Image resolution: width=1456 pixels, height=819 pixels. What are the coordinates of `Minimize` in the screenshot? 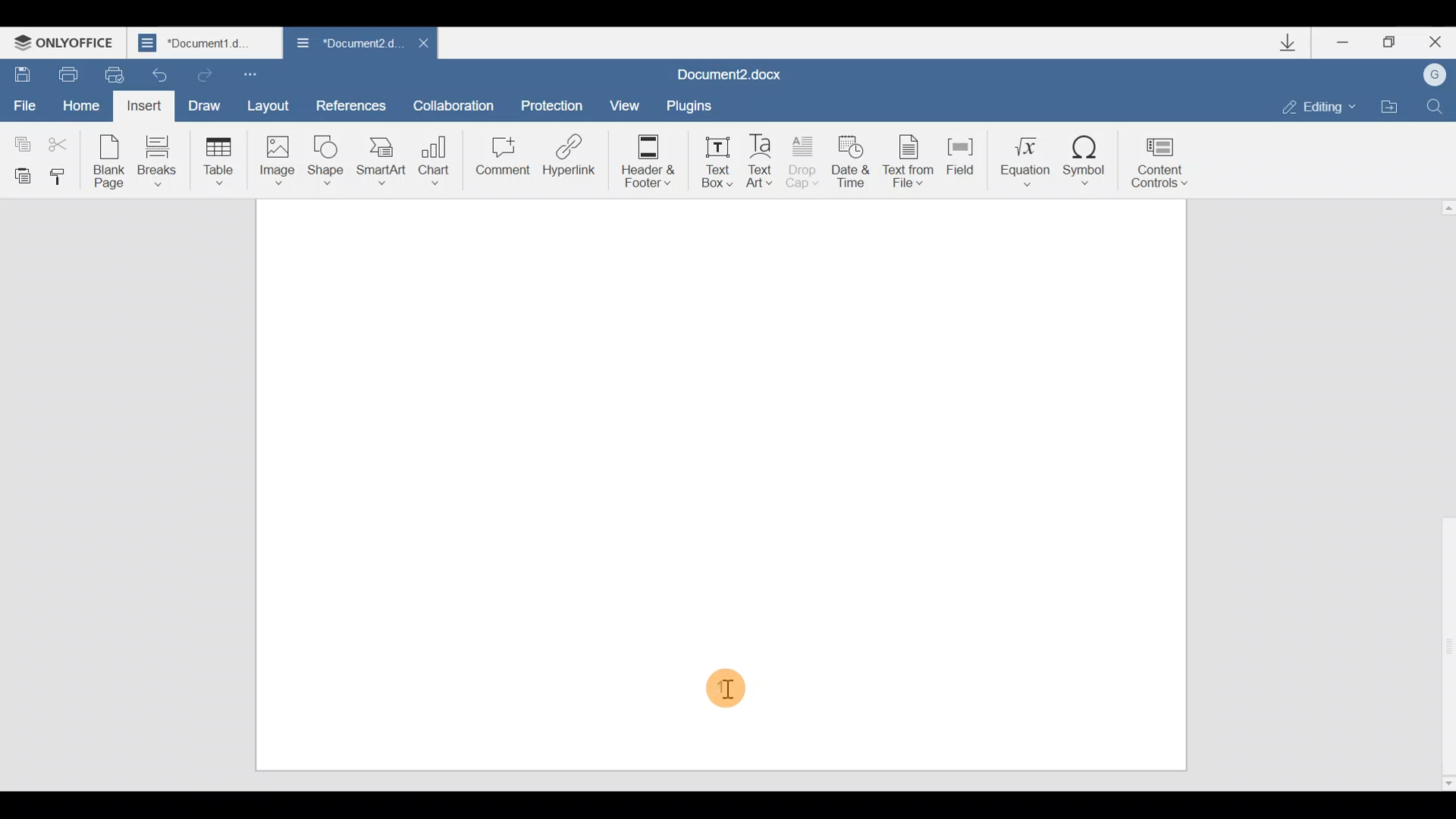 It's located at (1338, 44).